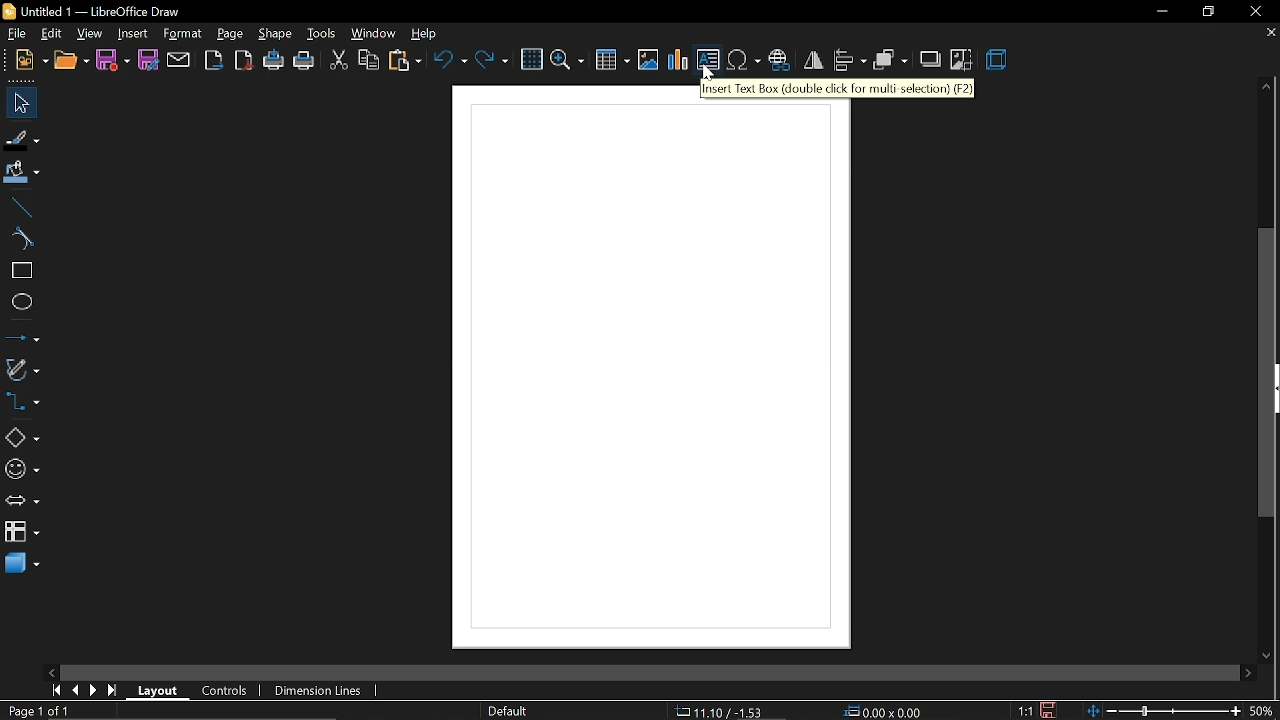 This screenshot has height=720, width=1280. Describe the element at coordinates (1248, 672) in the screenshot. I see `move right` at that location.